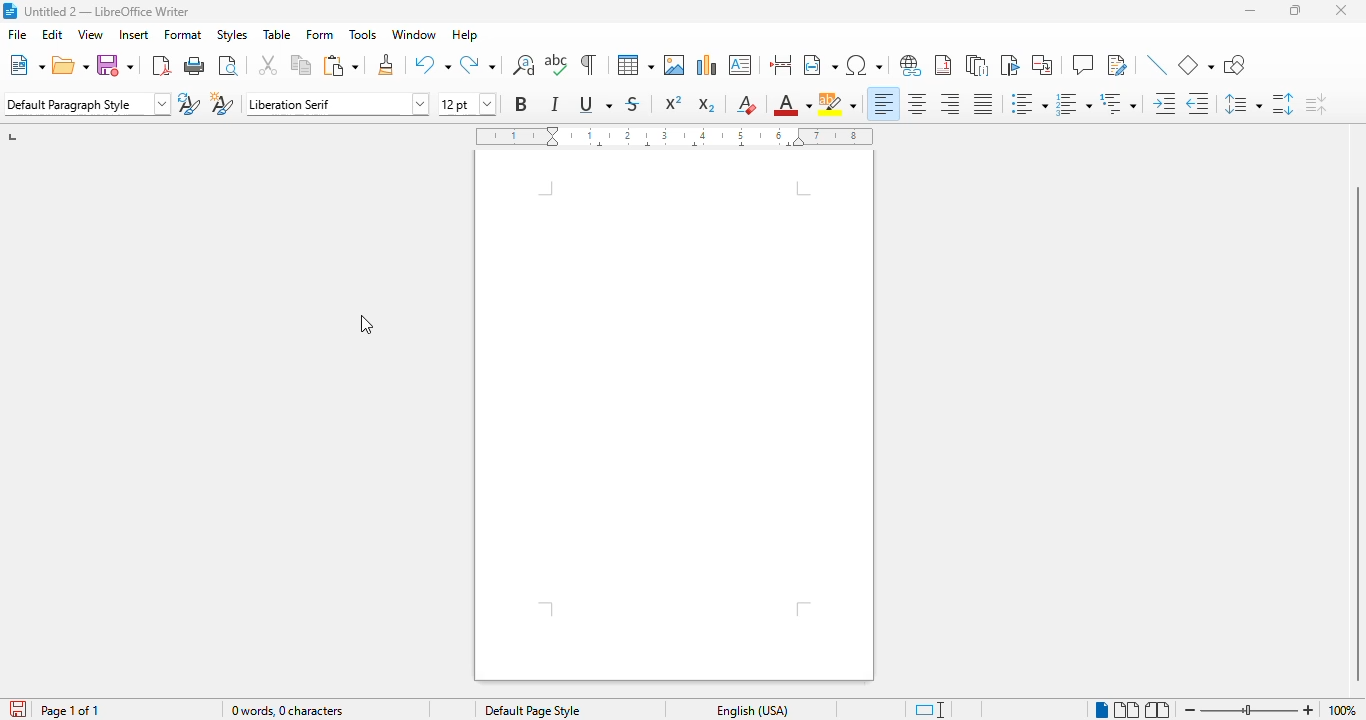 The image size is (1366, 720). I want to click on table, so click(277, 34).